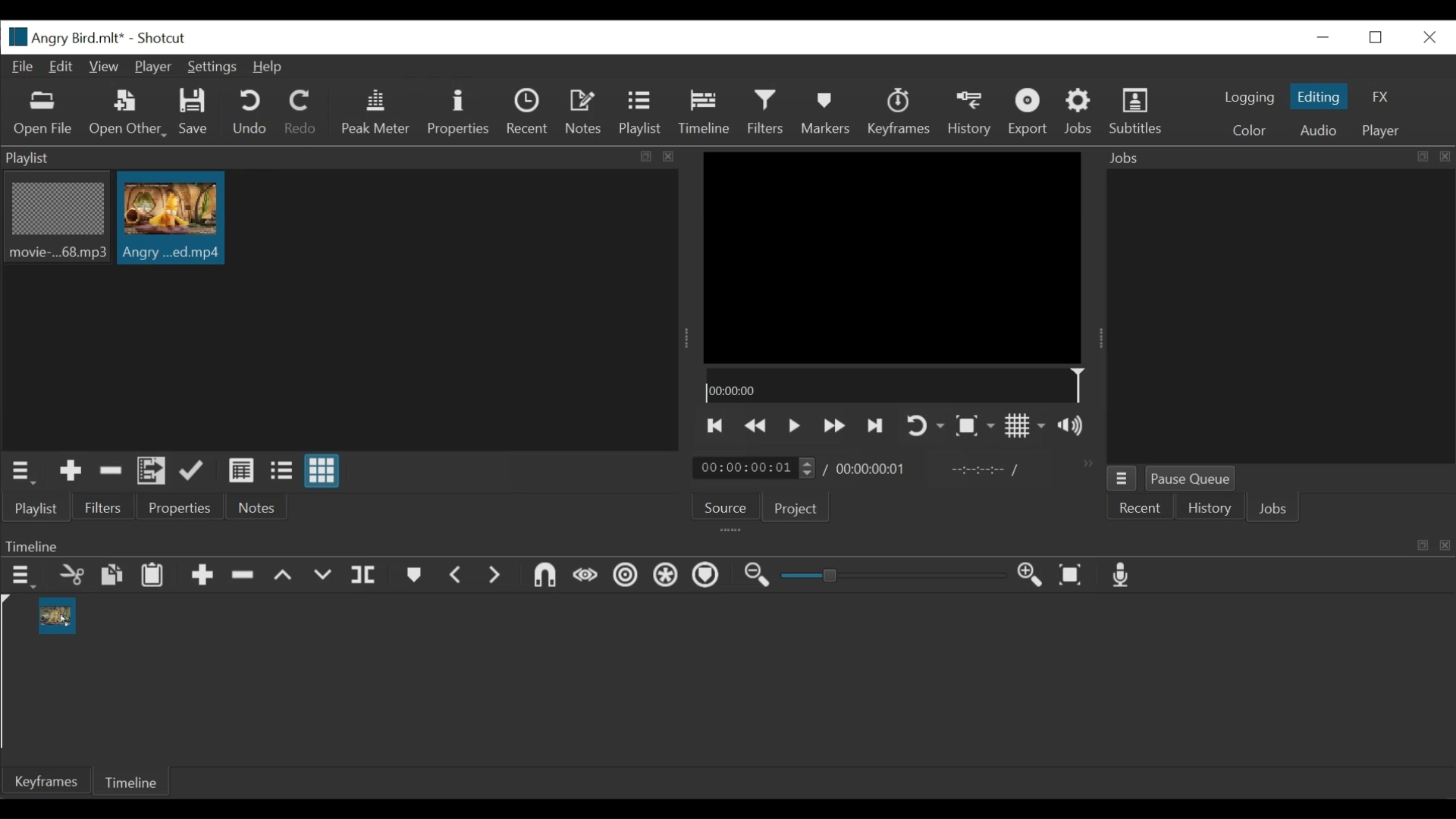  Describe the element at coordinates (133, 780) in the screenshot. I see `Timeline` at that location.